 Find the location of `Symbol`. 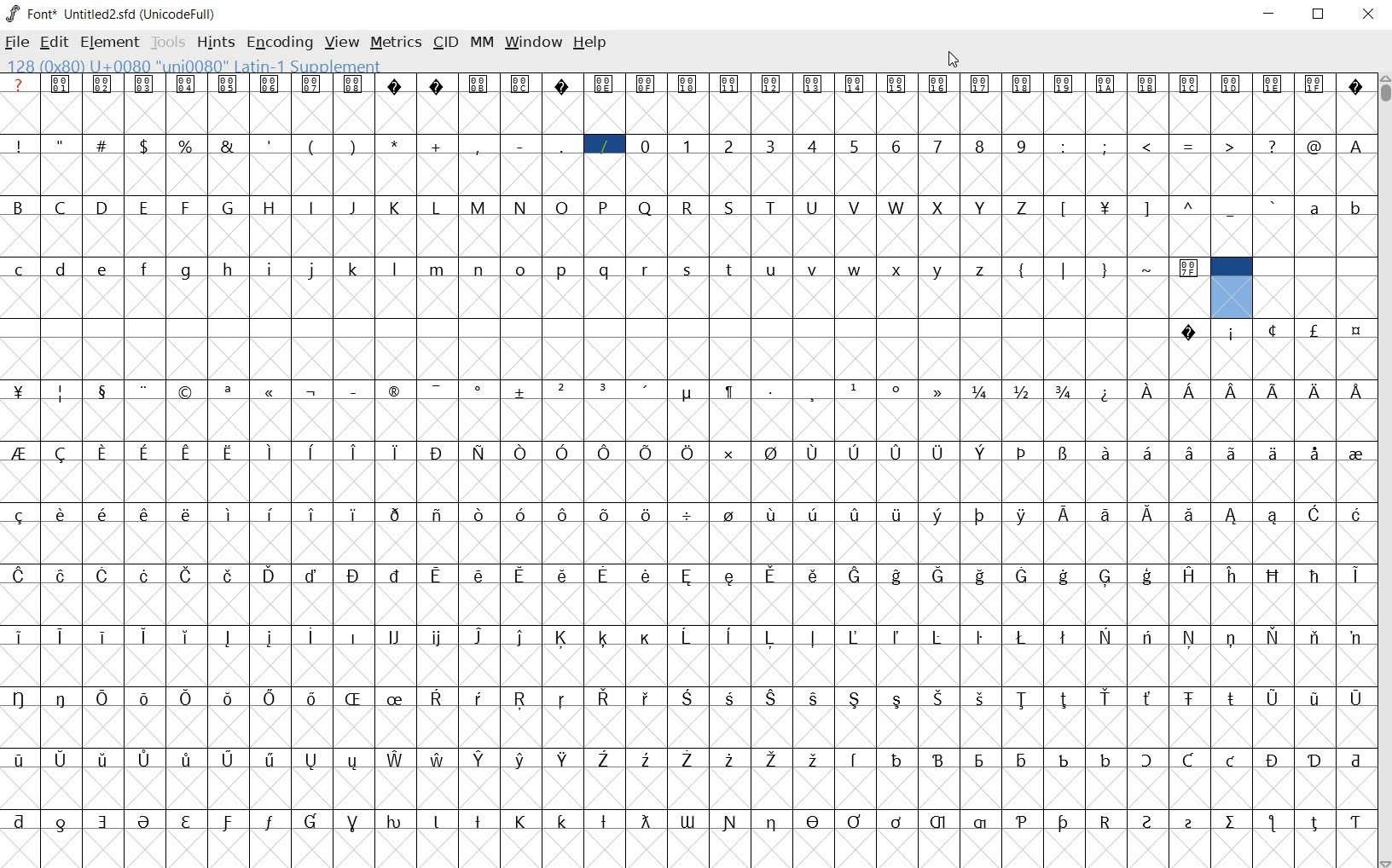

Symbol is located at coordinates (271, 452).